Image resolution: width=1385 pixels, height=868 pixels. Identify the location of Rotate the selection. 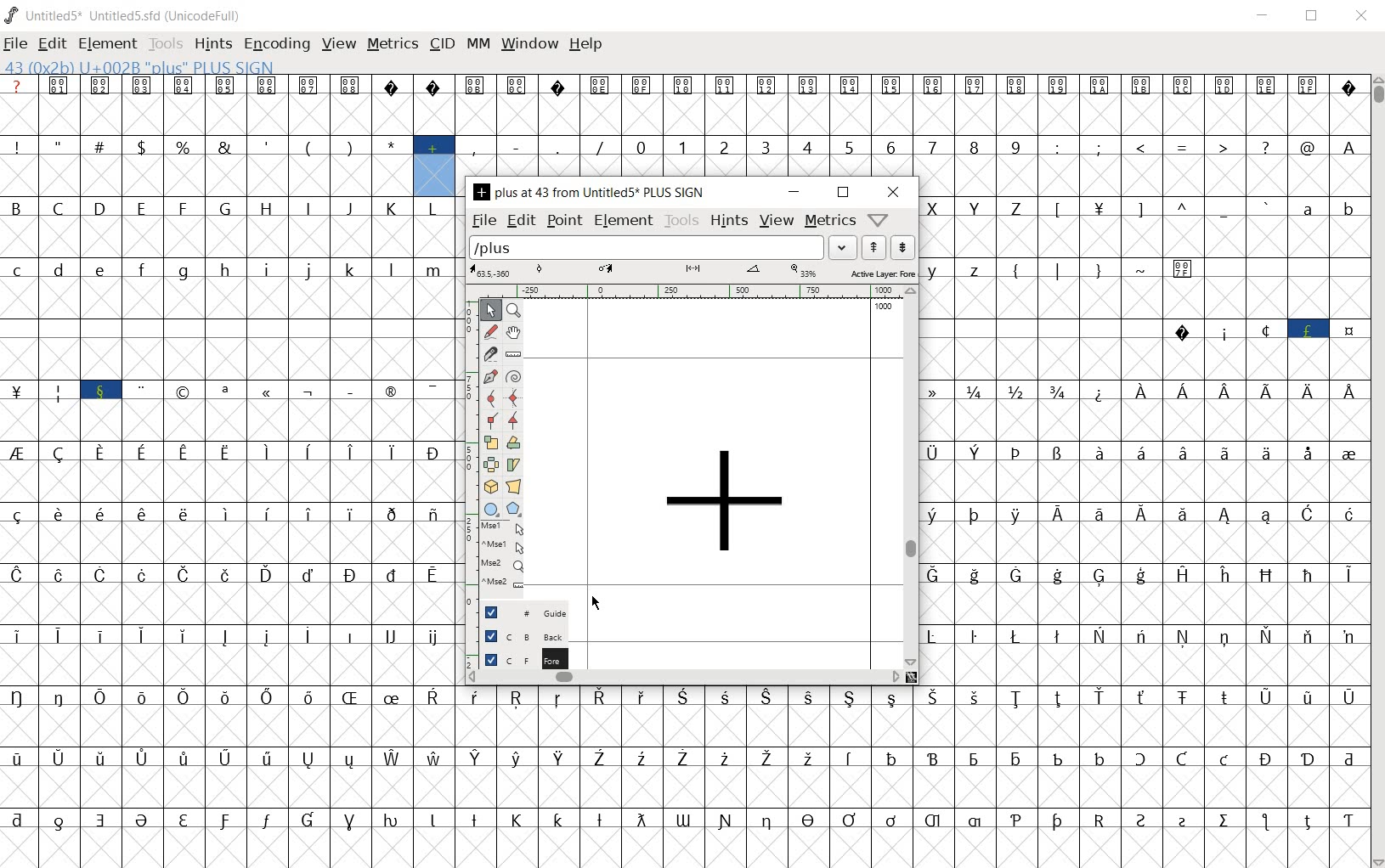
(513, 443).